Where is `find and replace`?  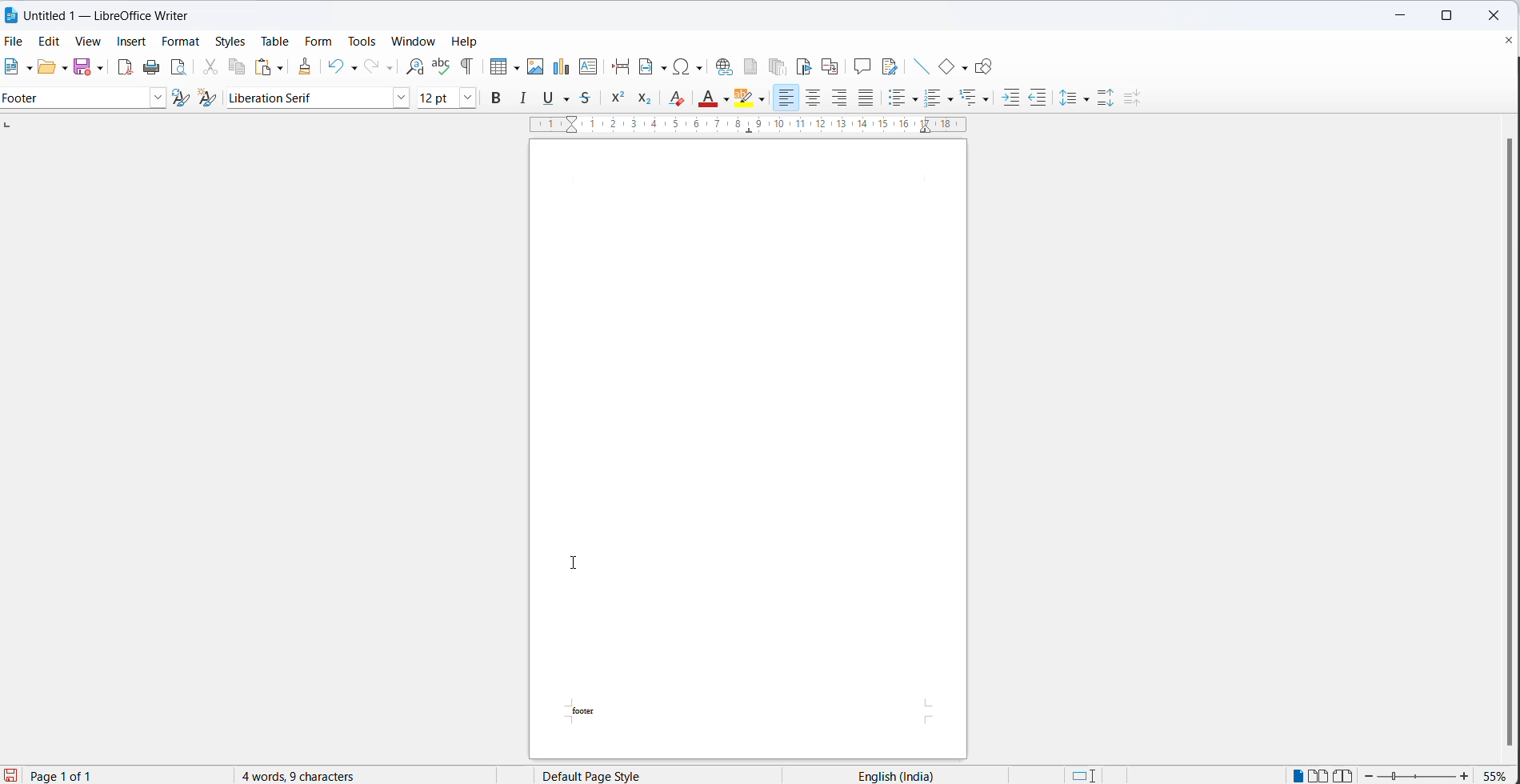
find and replace is located at coordinates (414, 66).